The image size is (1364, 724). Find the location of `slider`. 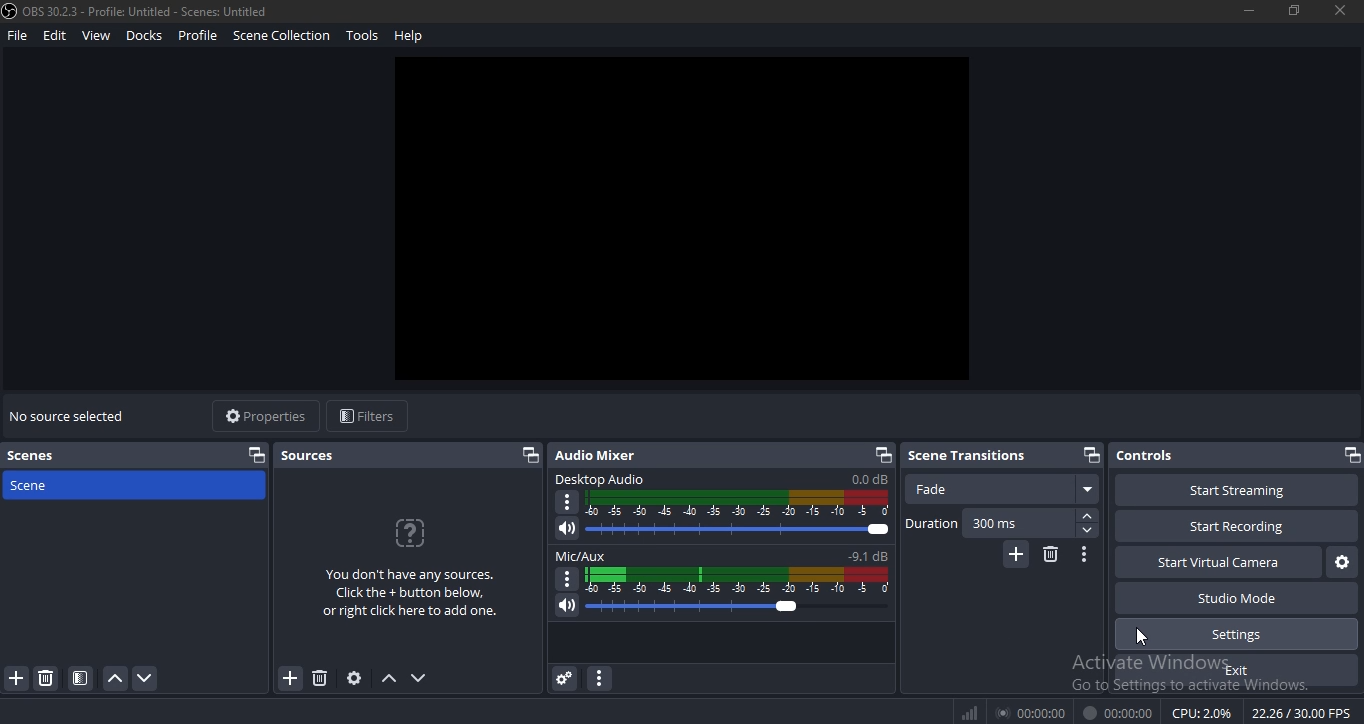

slider is located at coordinates (720, 608).